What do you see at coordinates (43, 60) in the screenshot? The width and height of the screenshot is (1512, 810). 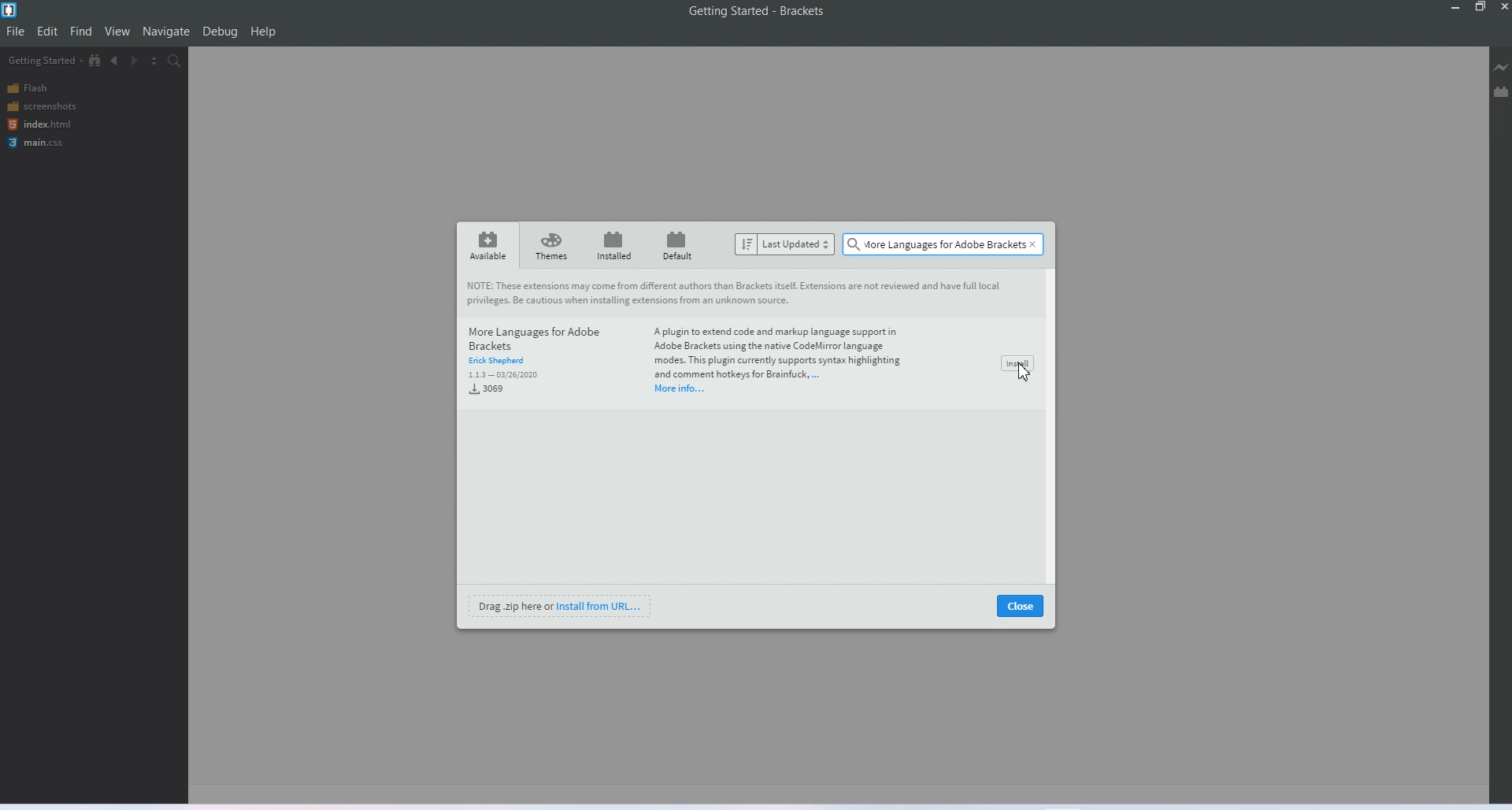 I see `Getting Started` at bounding box center [43, 60].